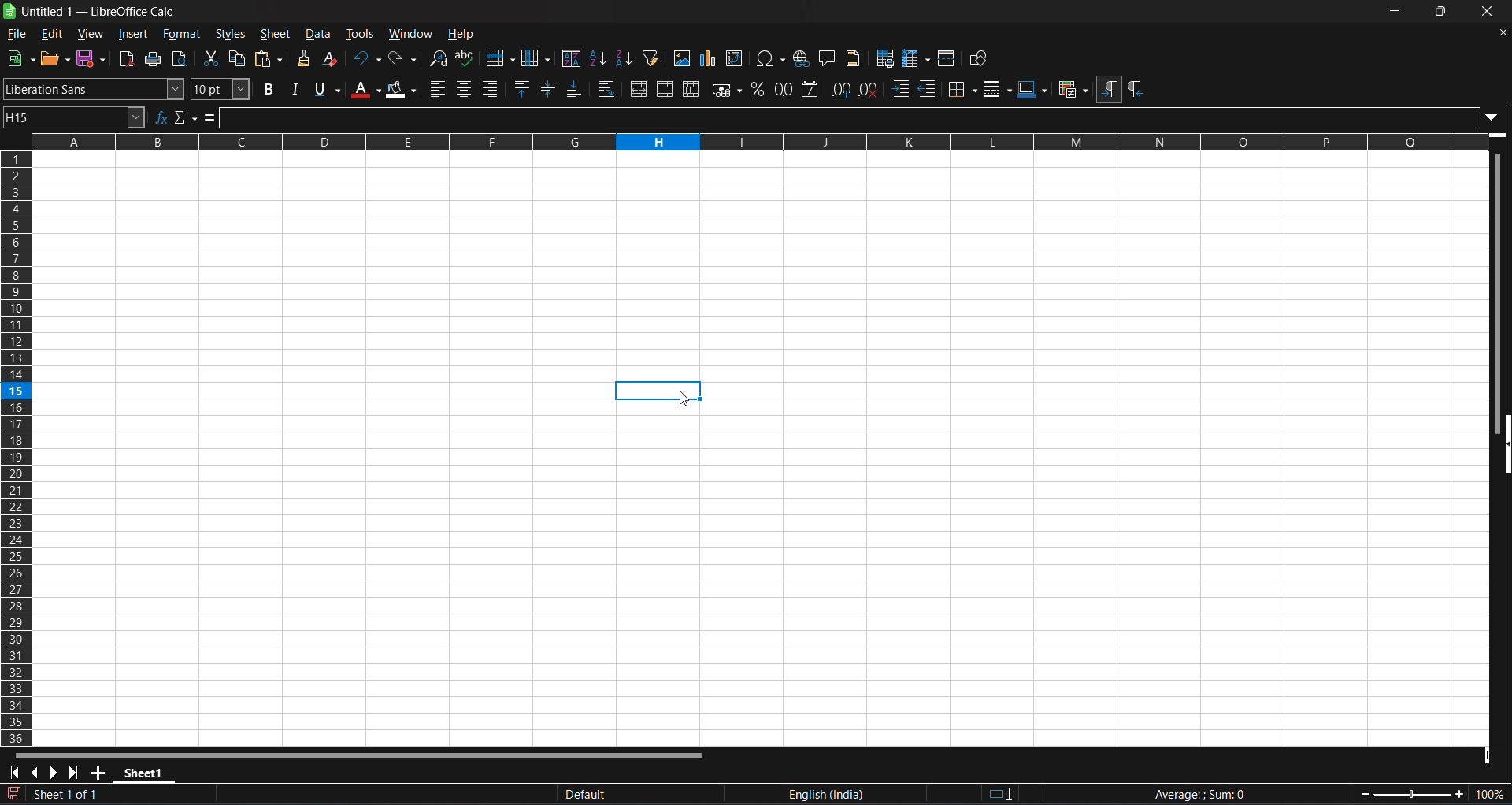 The image size is (1512, 805). I want to click on format as number, so click(782, 89).